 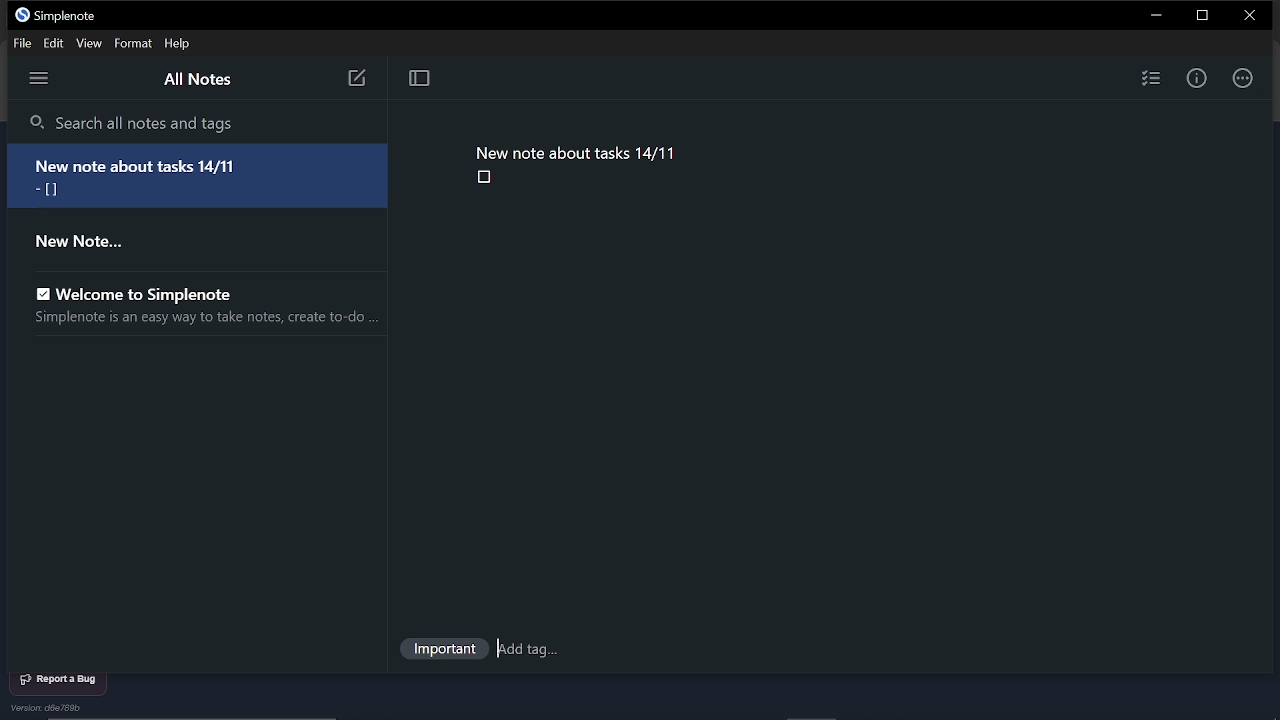 What do you see at coordinates (1200, 16) in the screenshot?
I see `Restoe down` at bounding box center [1200, 16].